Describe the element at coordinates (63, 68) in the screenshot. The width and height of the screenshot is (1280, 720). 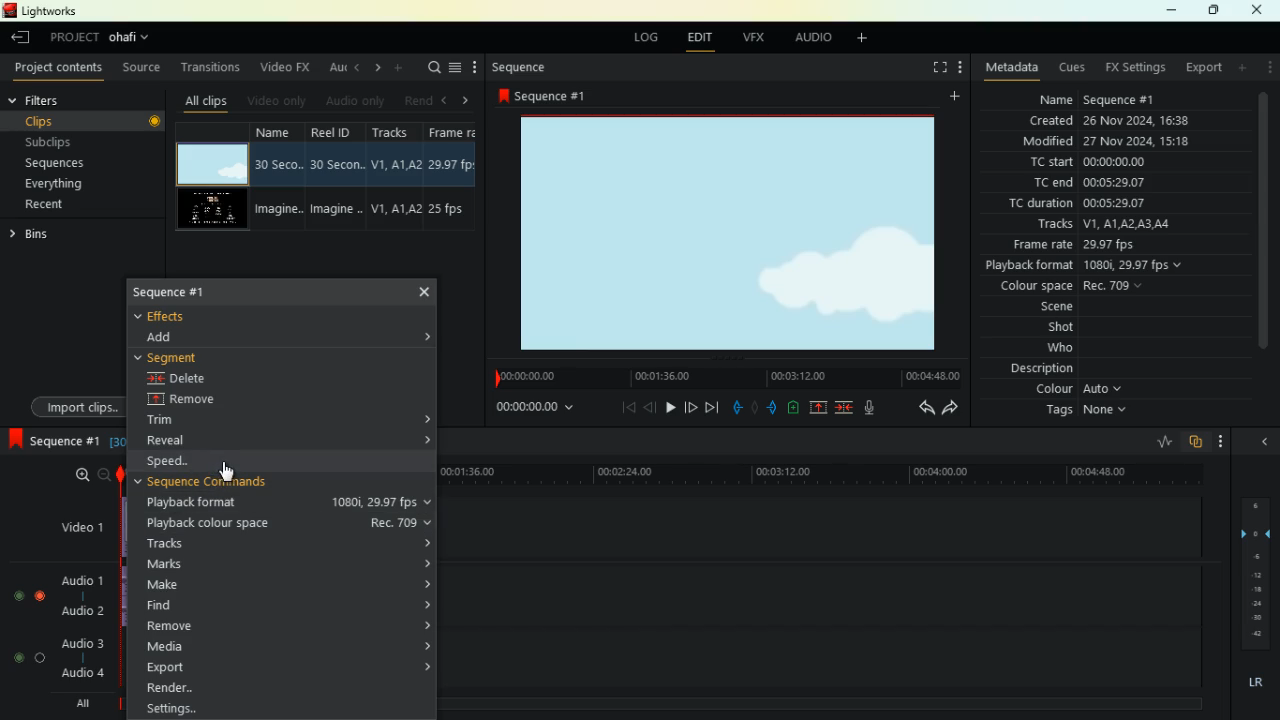
I see `project contents` at that location.